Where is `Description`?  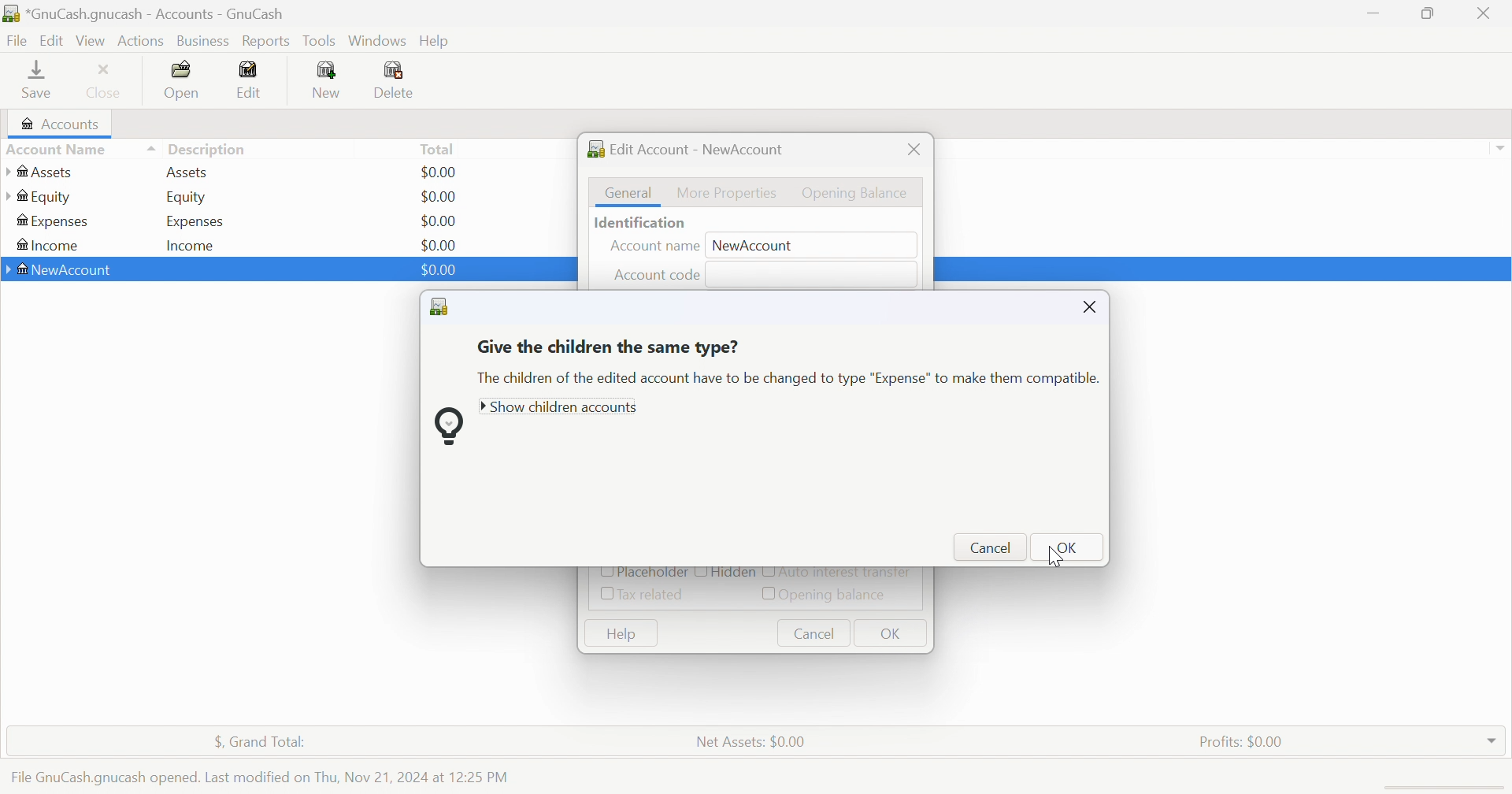 Description is located at coordinates (208, 150).